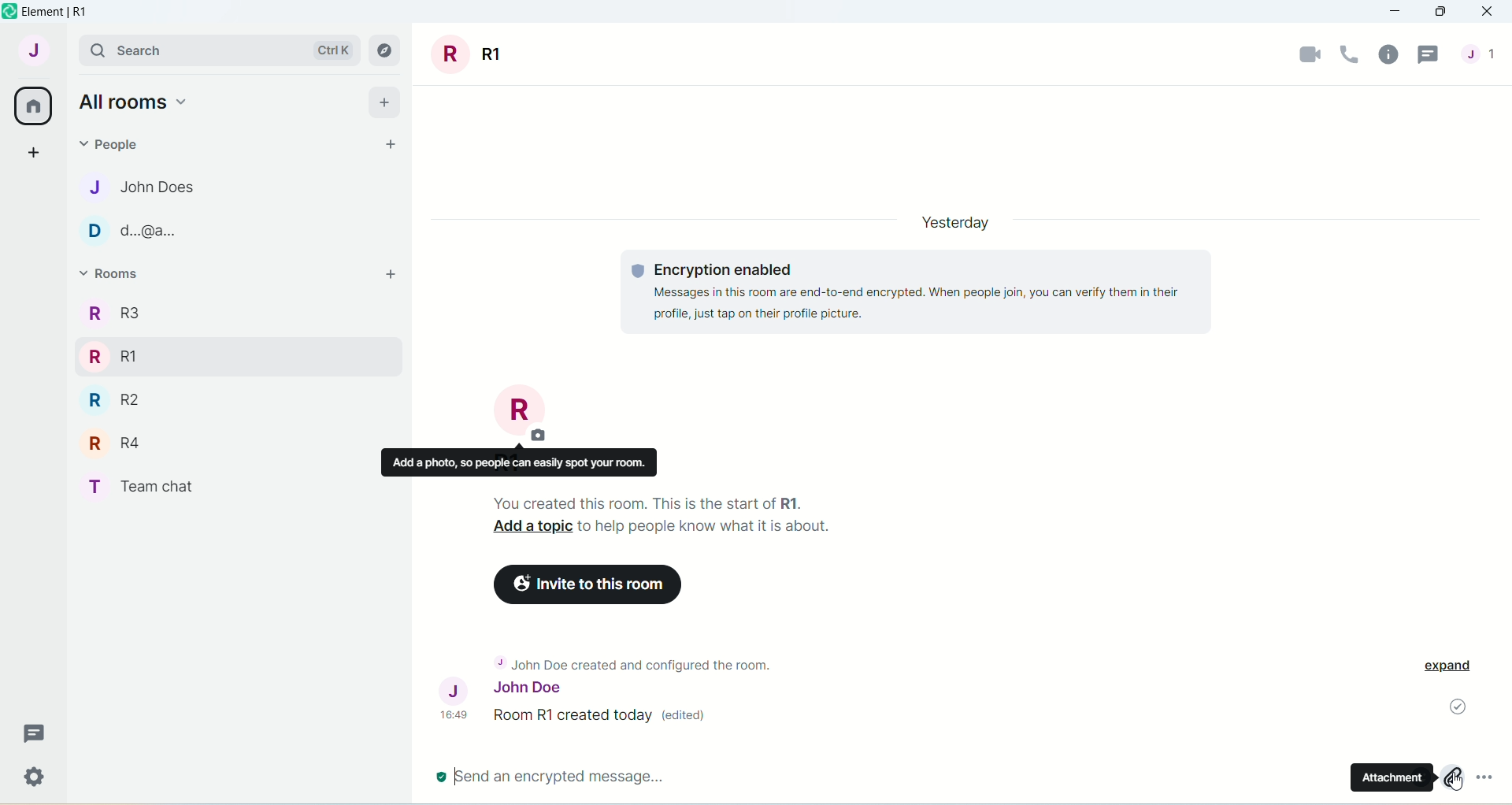 This screenshot has height=805, width=1512. Describe the element at coordinates (9, 13) in the screenshot. I see `logo` at that location.